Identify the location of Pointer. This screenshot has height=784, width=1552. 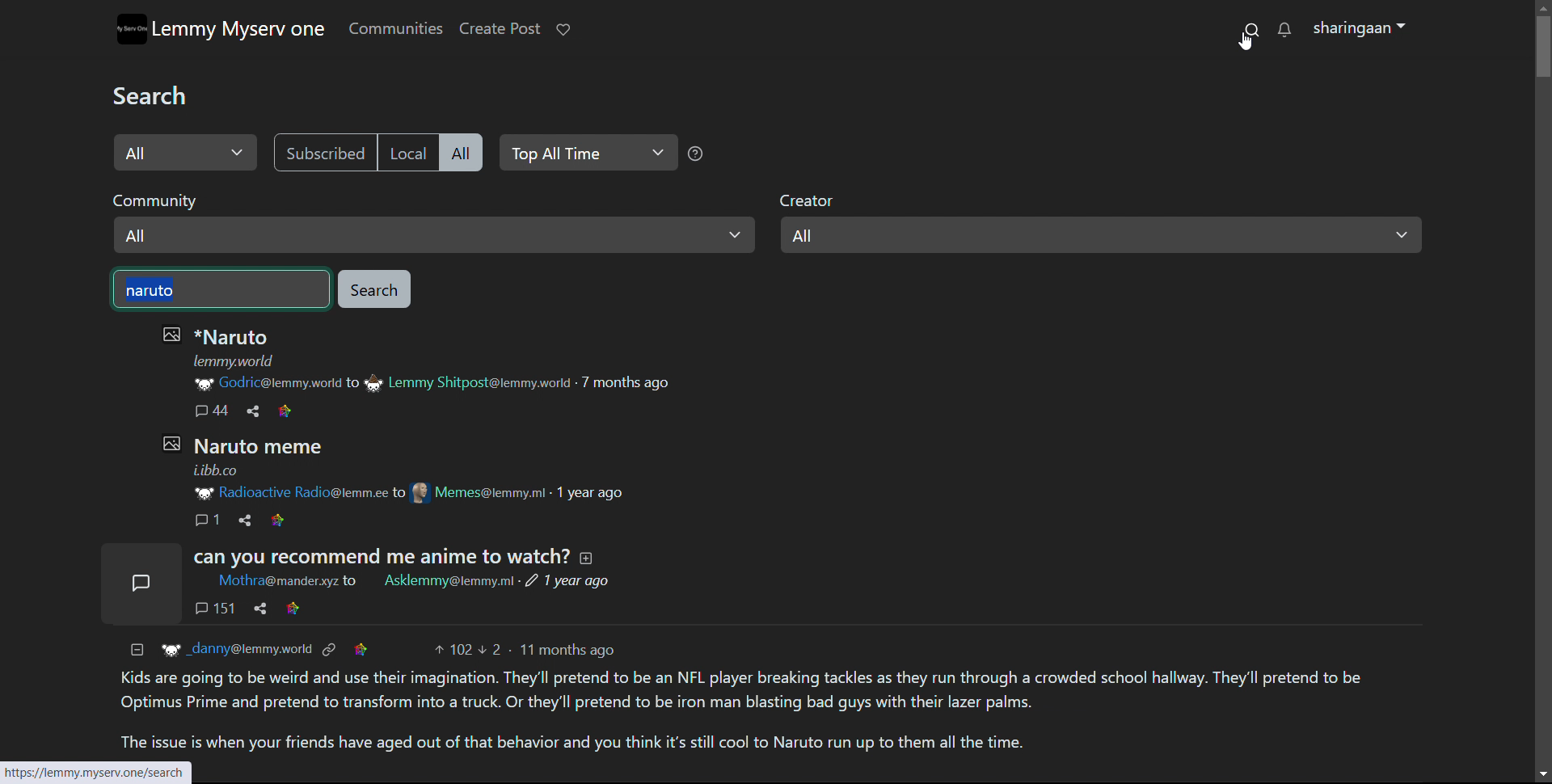
(1244, 44).